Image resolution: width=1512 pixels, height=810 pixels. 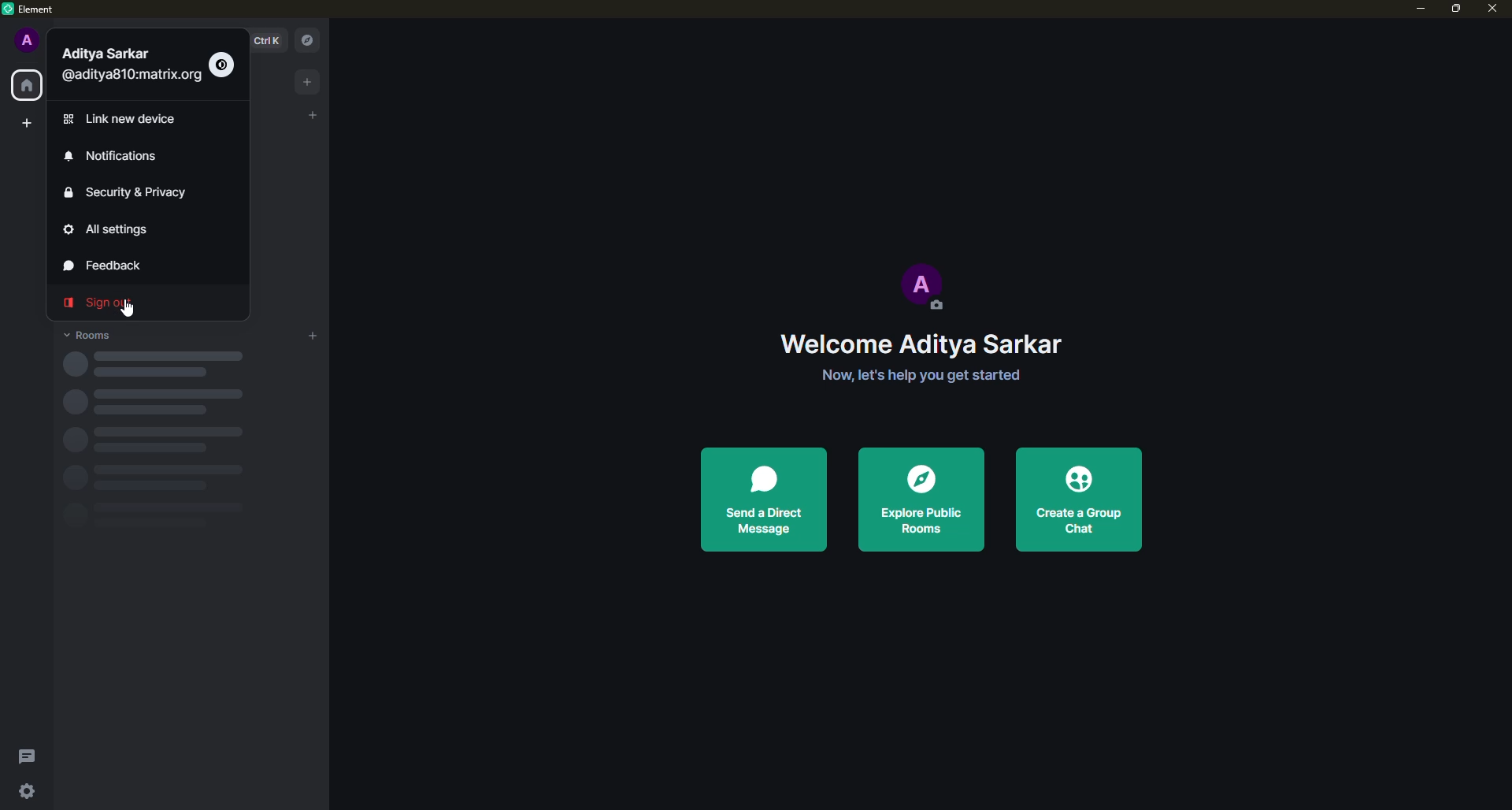 What do you see at coordinates (929, 345) in the screenshot?
I see `Welcome Aditya Sarkar` at bounding box center [929, 345].